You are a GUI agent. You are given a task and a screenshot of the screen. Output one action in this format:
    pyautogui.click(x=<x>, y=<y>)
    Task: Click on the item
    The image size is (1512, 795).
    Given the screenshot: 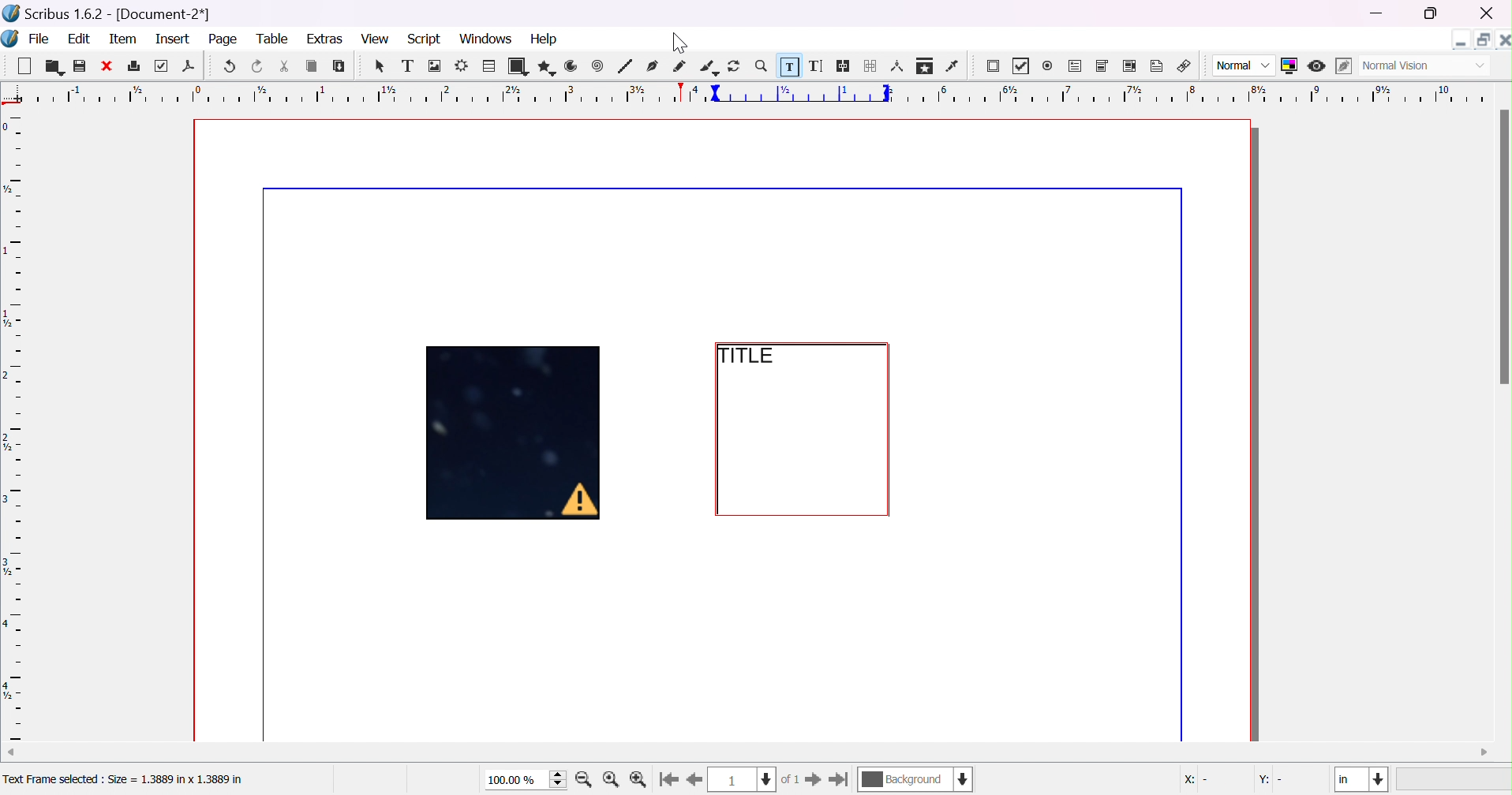 What is the action you would take?
    pyautogui.click(x=122, y=39)
    